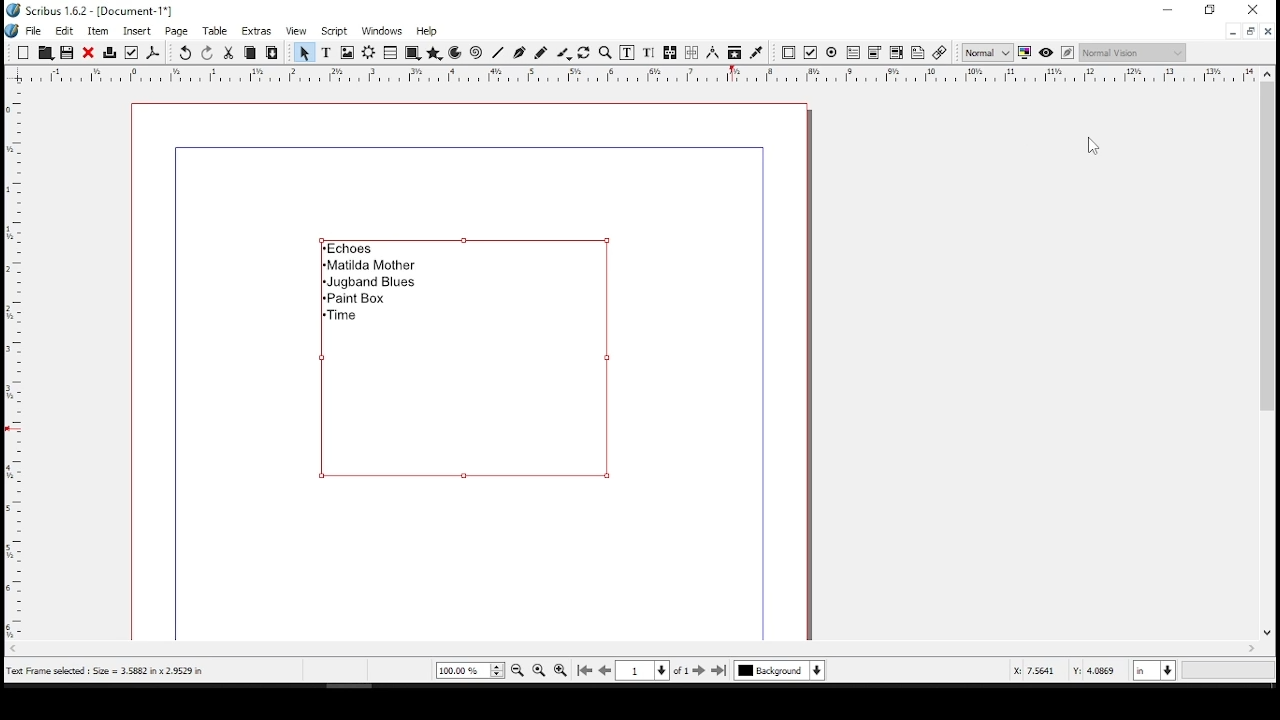 Image resolution: width=1280 pixels, height=720 pixels. Describe the element at coordinates (304, 52) in the screenshot. I see `select item` at that location.